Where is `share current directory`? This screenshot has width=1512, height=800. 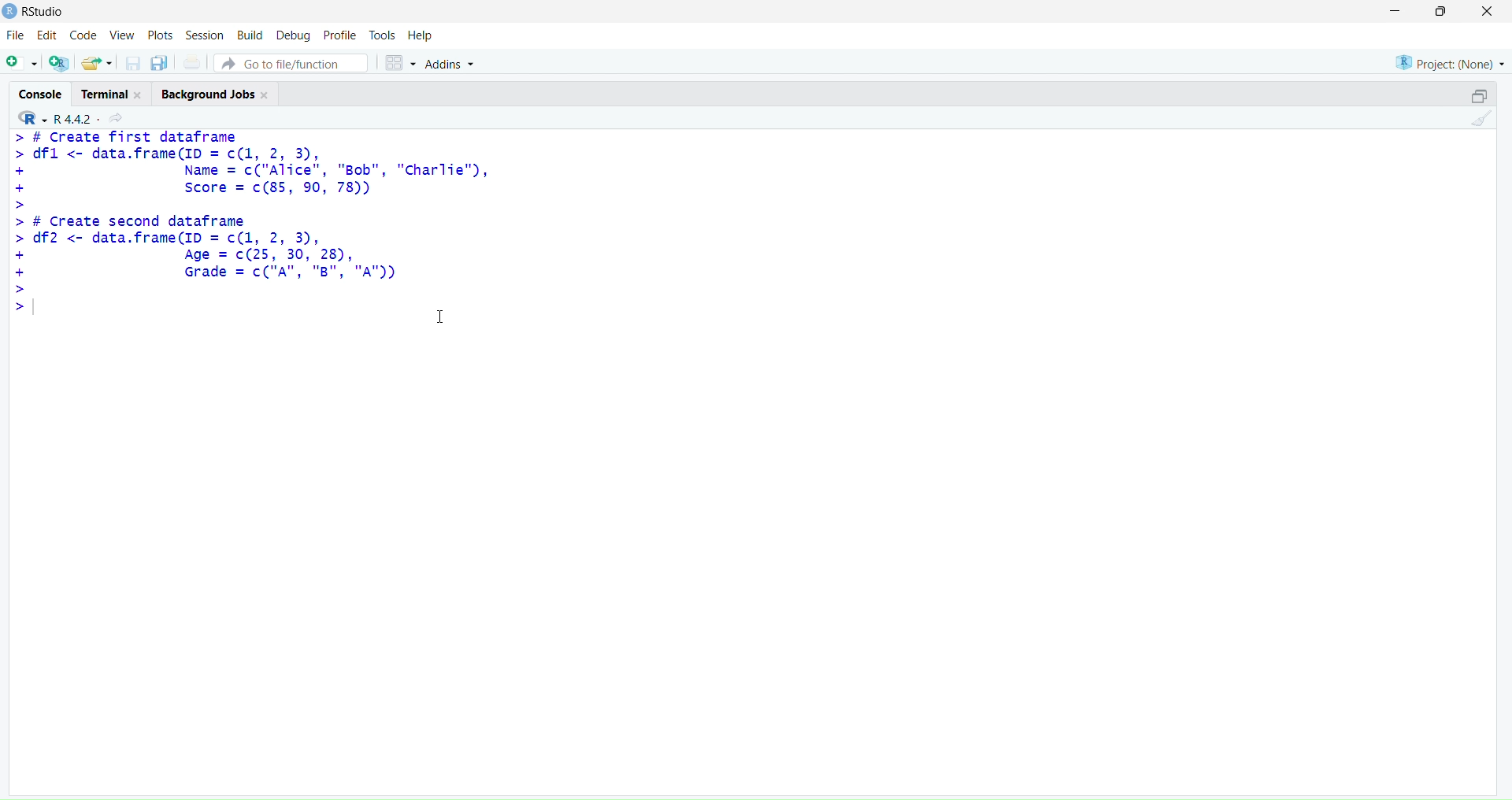
share current directory is located at coordinates (116, 119).